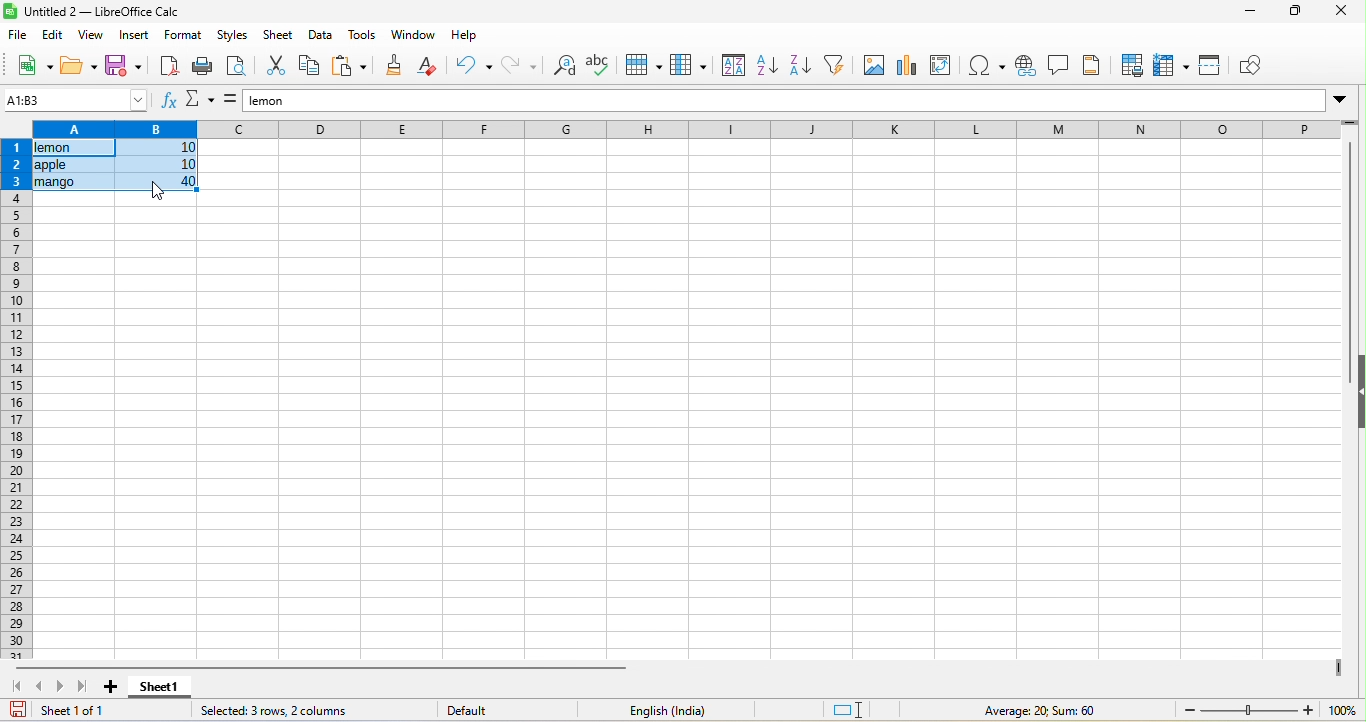 Image resolution: width=1366 pixels, height=722 pixels. What do you see at coordinates (460, 709) in the screenshot?
I see `default` at bounding box center [460, 709].